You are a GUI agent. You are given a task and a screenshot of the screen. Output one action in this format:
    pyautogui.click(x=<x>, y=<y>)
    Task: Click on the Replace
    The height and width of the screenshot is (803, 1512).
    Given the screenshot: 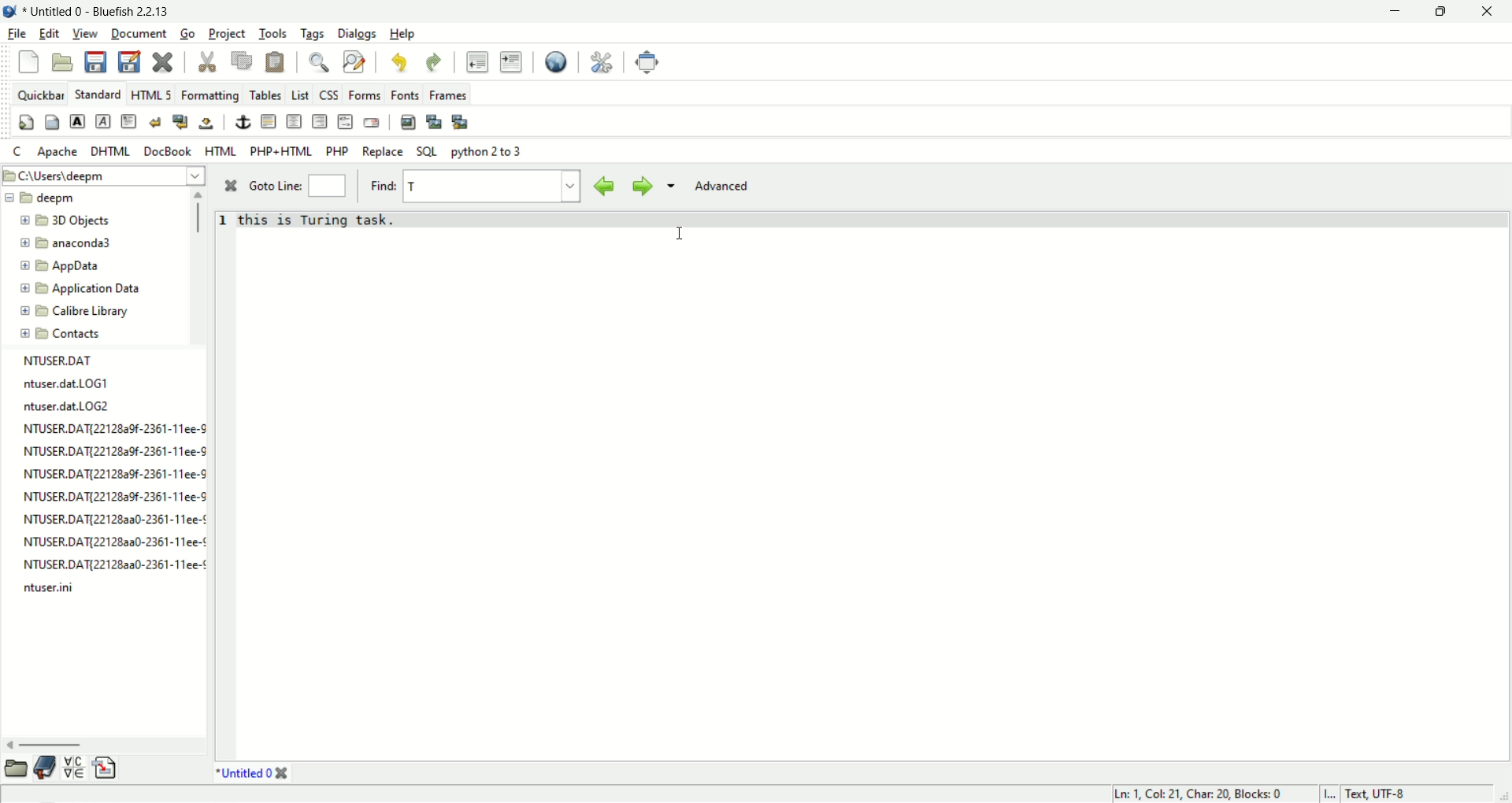 What is the action you would take?
    pyautogui.click(x=383, y=152)
    